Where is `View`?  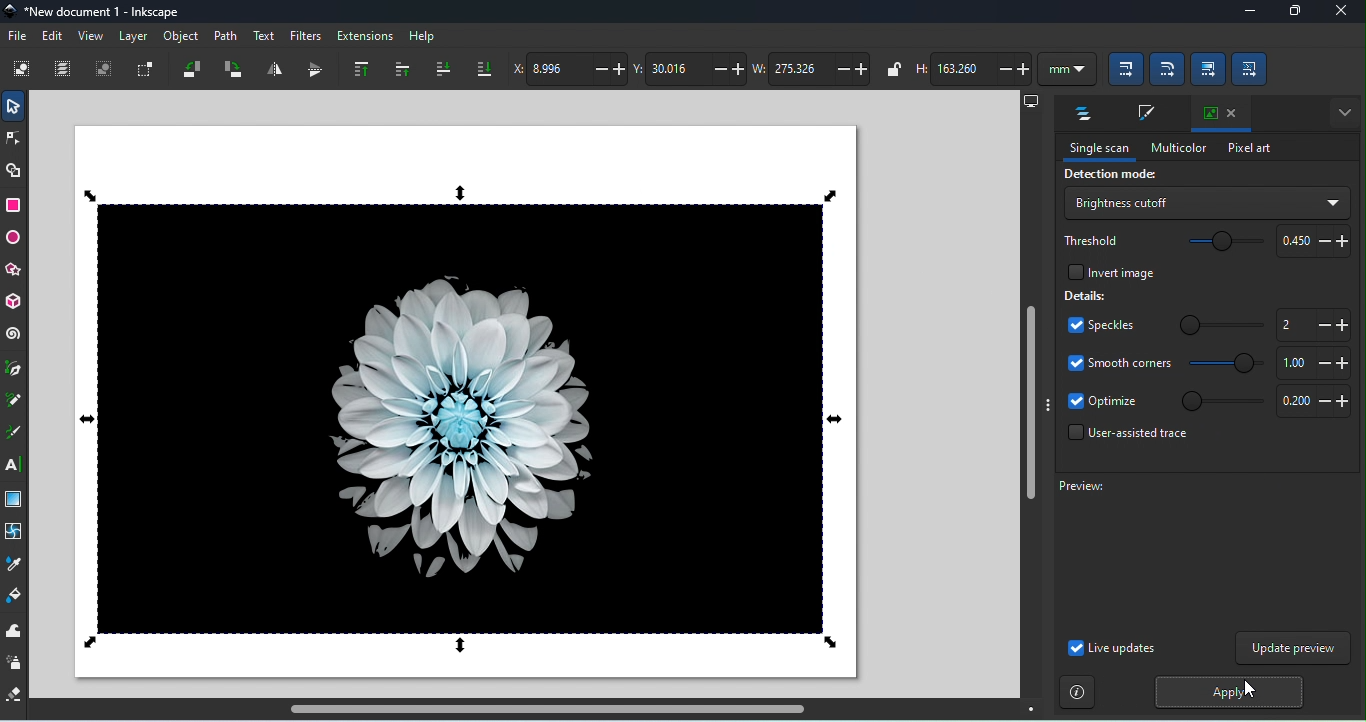
View is located at coordinates (91, 39).